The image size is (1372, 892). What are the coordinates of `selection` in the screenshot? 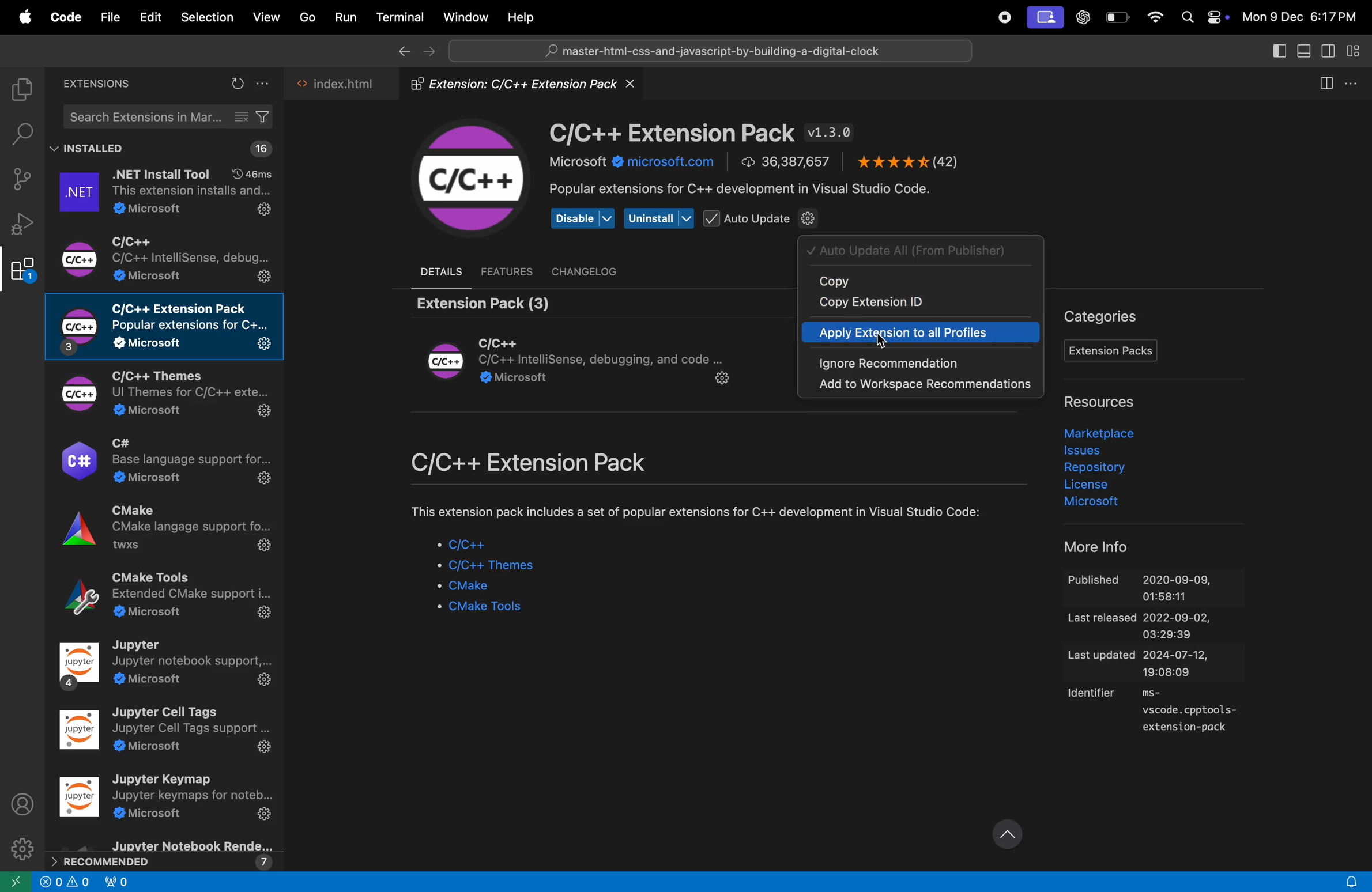 It's located at (206, 18).